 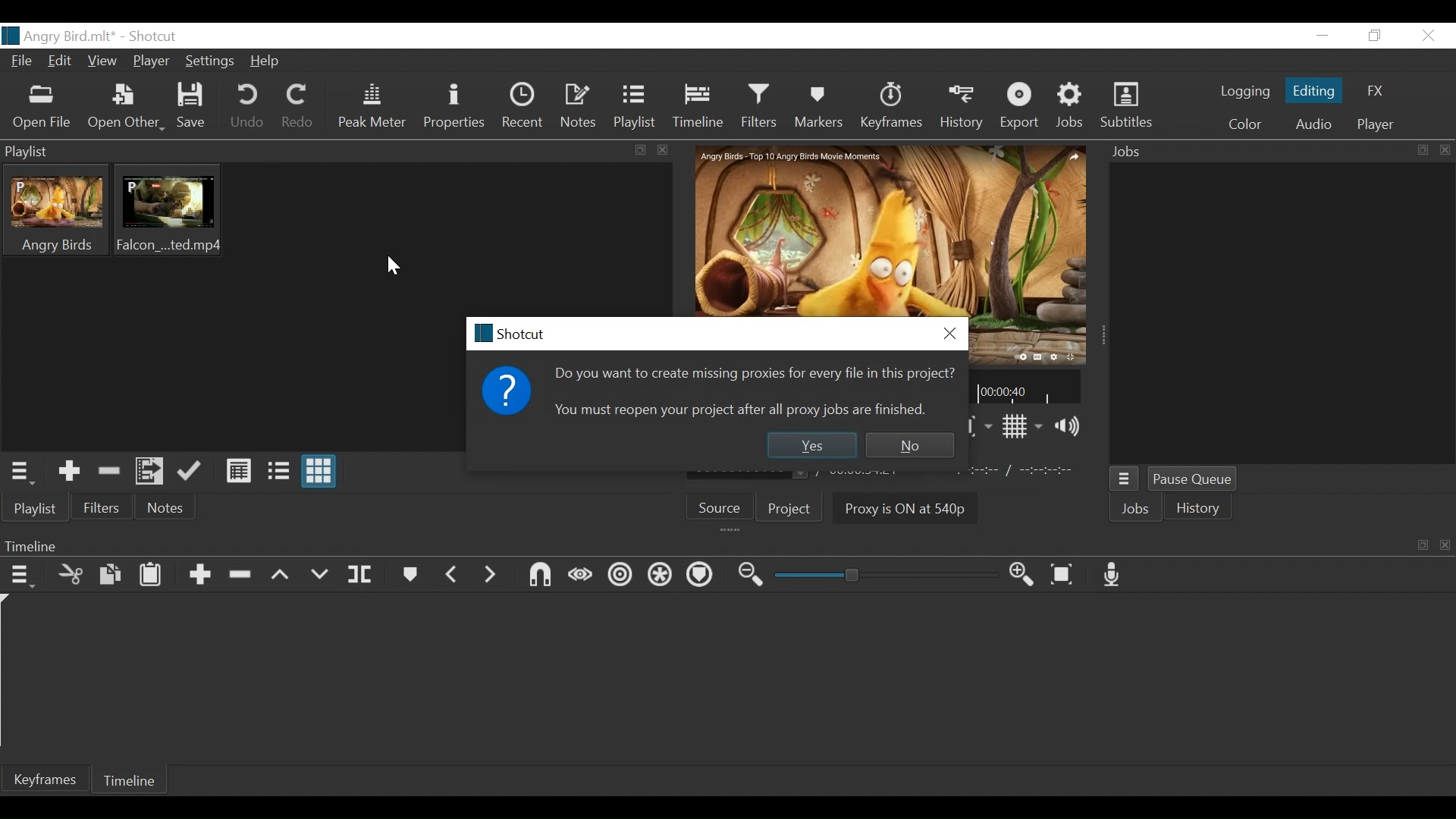 I want to click on Timeline, so click(x=1026, y=386).